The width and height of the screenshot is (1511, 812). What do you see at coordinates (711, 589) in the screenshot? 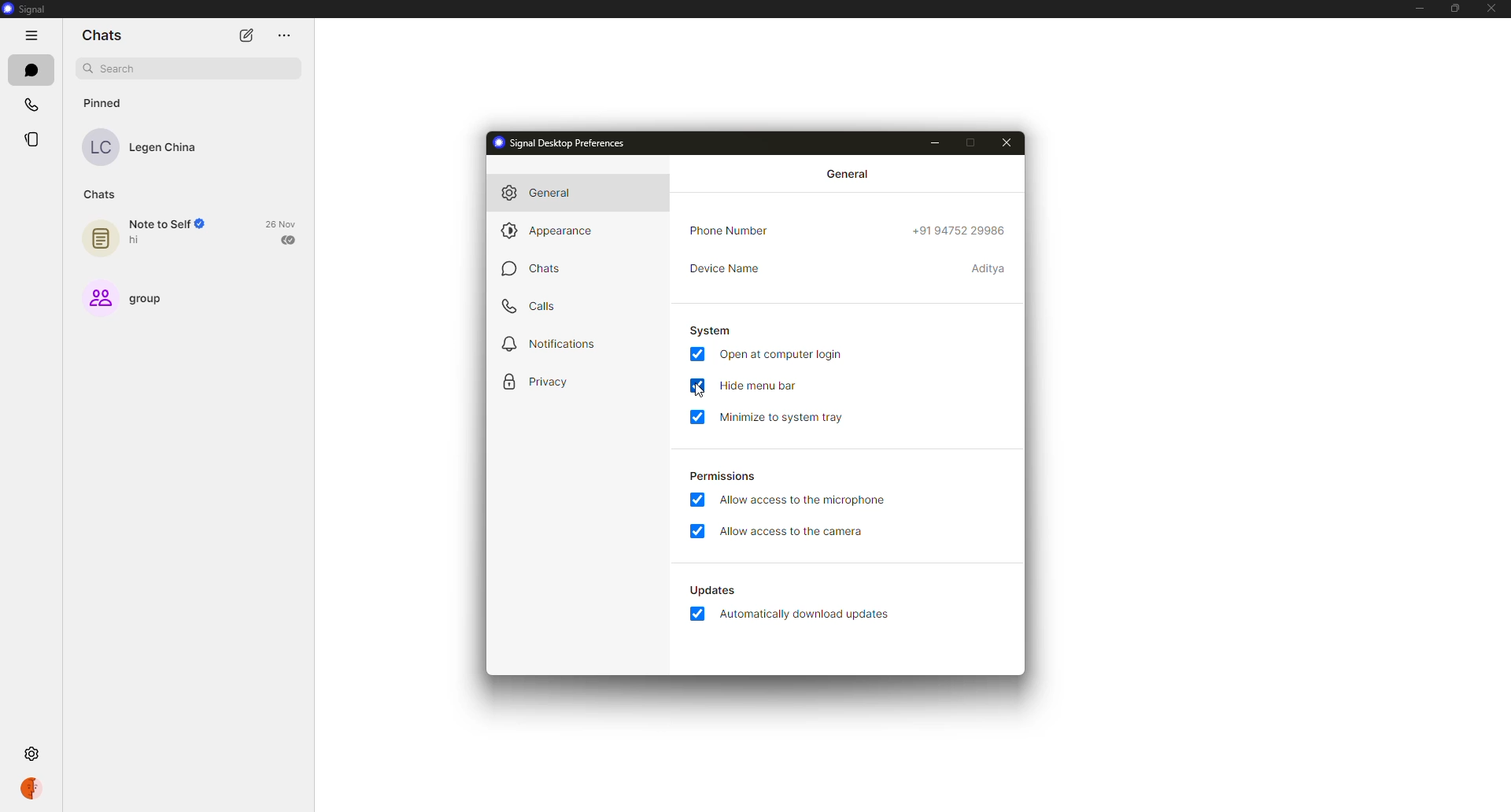
I see `updates` at bounding box center [711, 589].